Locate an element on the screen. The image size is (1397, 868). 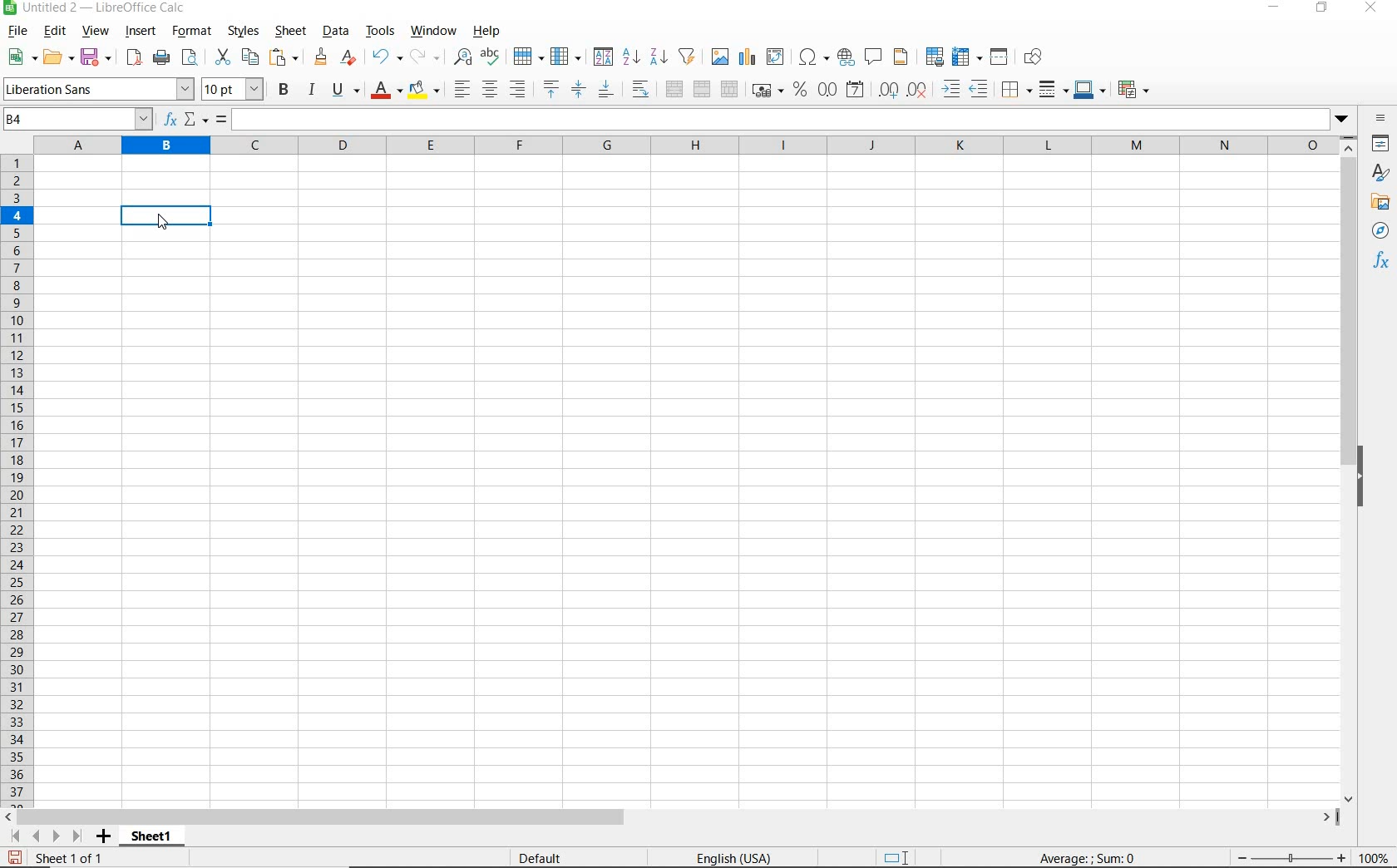
paste is located at coordinates (284, 58).